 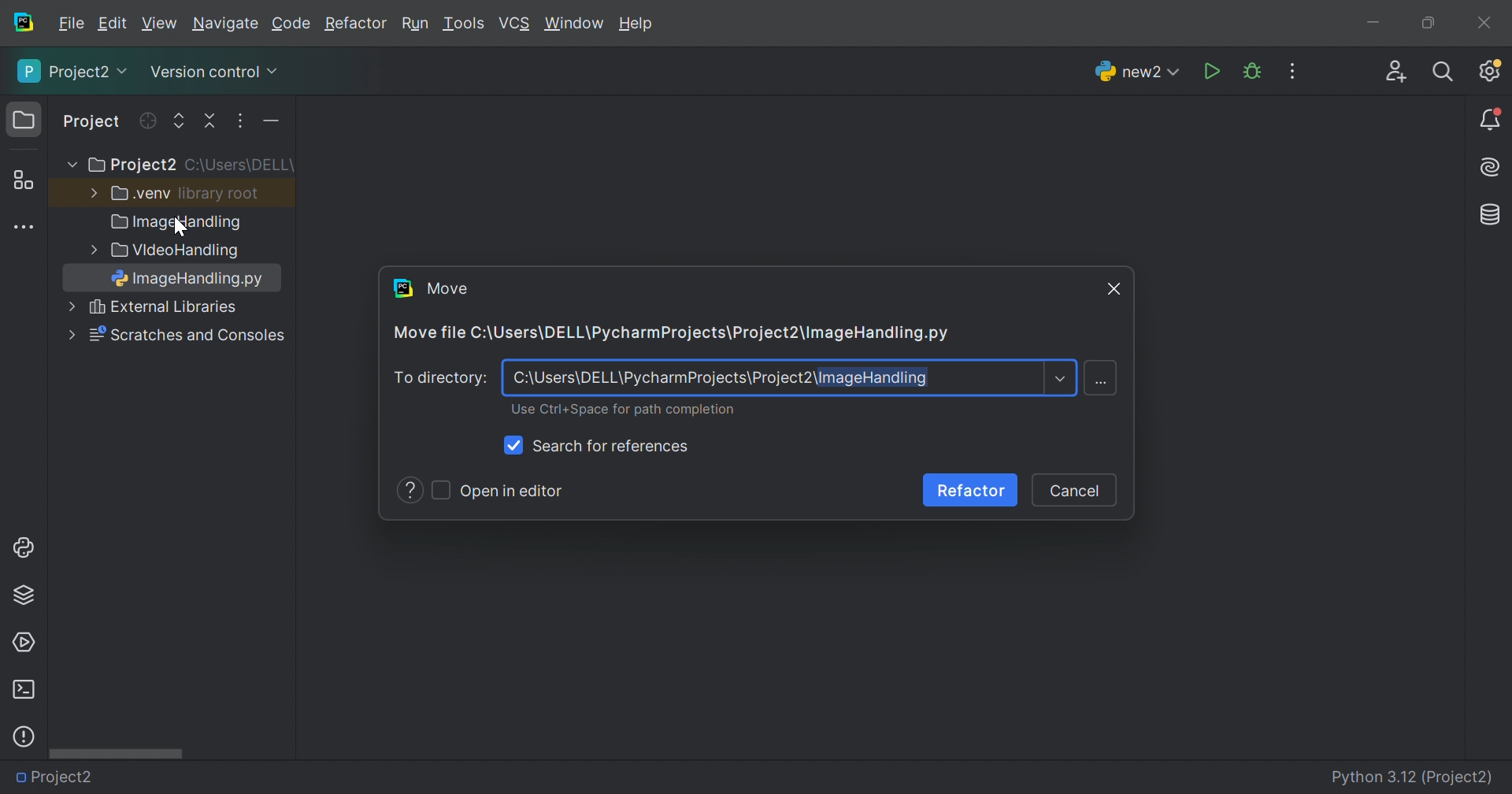 What do you see at coordinates (1214, 72) in the screenshot?
I see `Run` at bounding box center [1214, 72].